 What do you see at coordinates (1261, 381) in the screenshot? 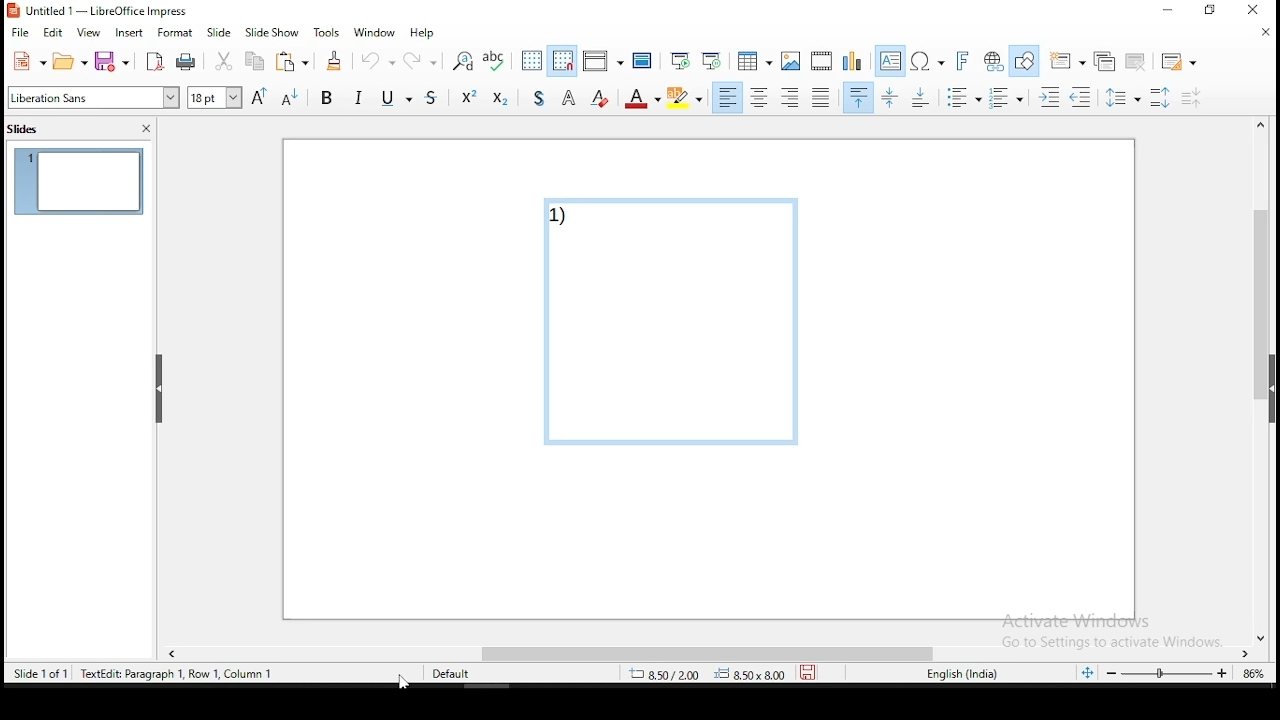
I see `scroll bar` at bounding box center [1261, 381].